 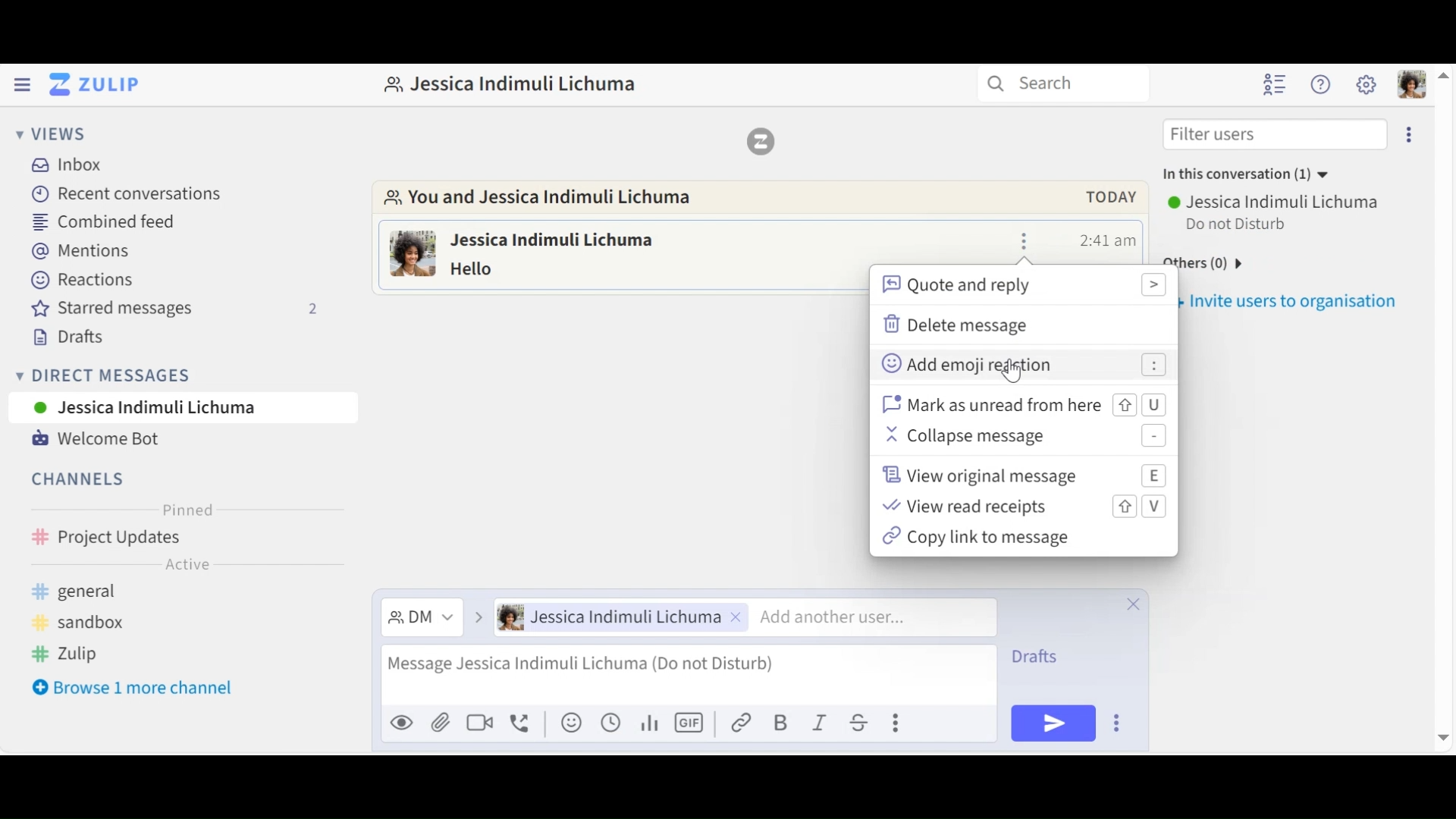 I want to click on Collapse message, so click(x=1025, y=438).